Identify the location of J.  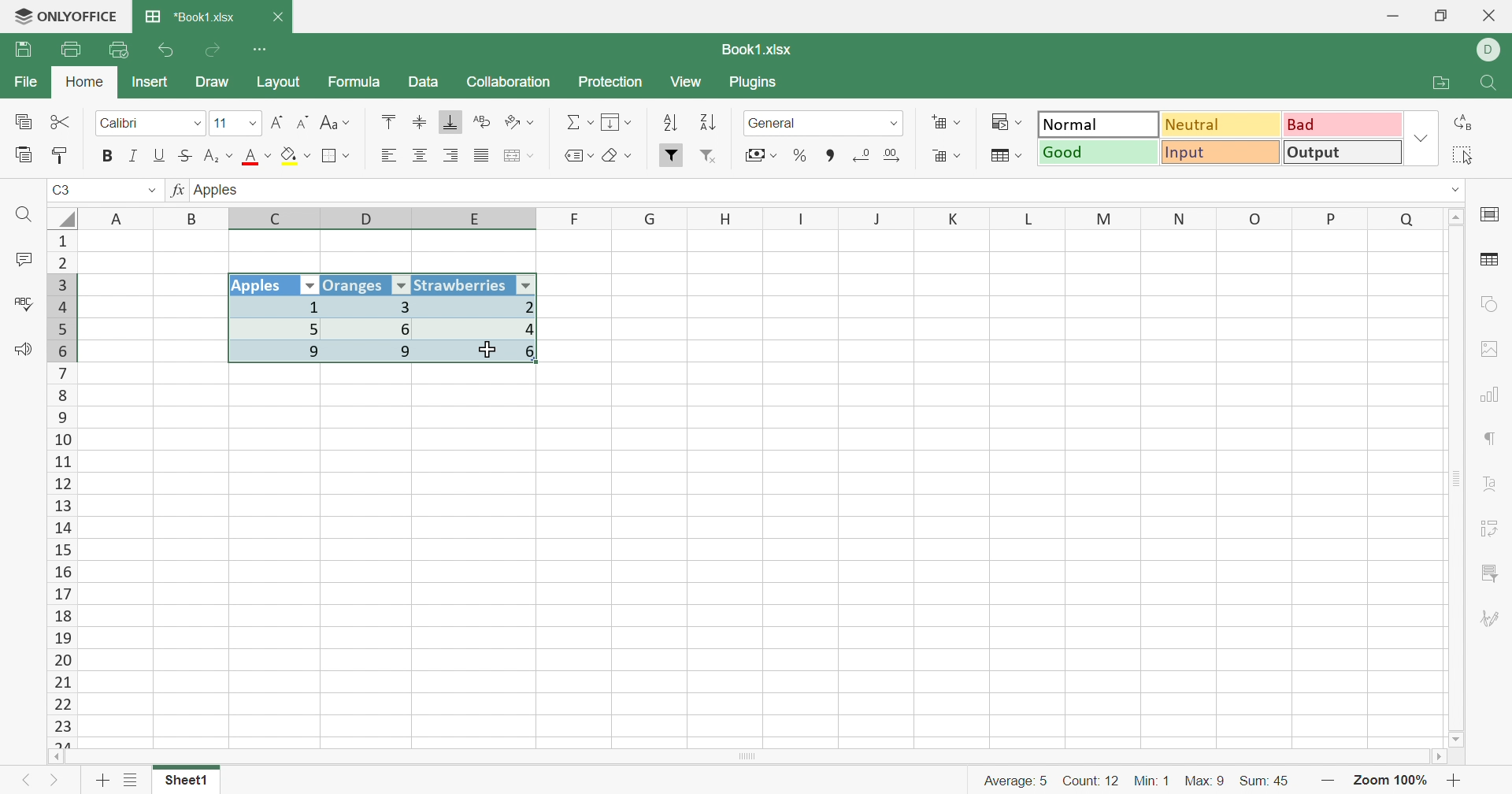
(879, 219).